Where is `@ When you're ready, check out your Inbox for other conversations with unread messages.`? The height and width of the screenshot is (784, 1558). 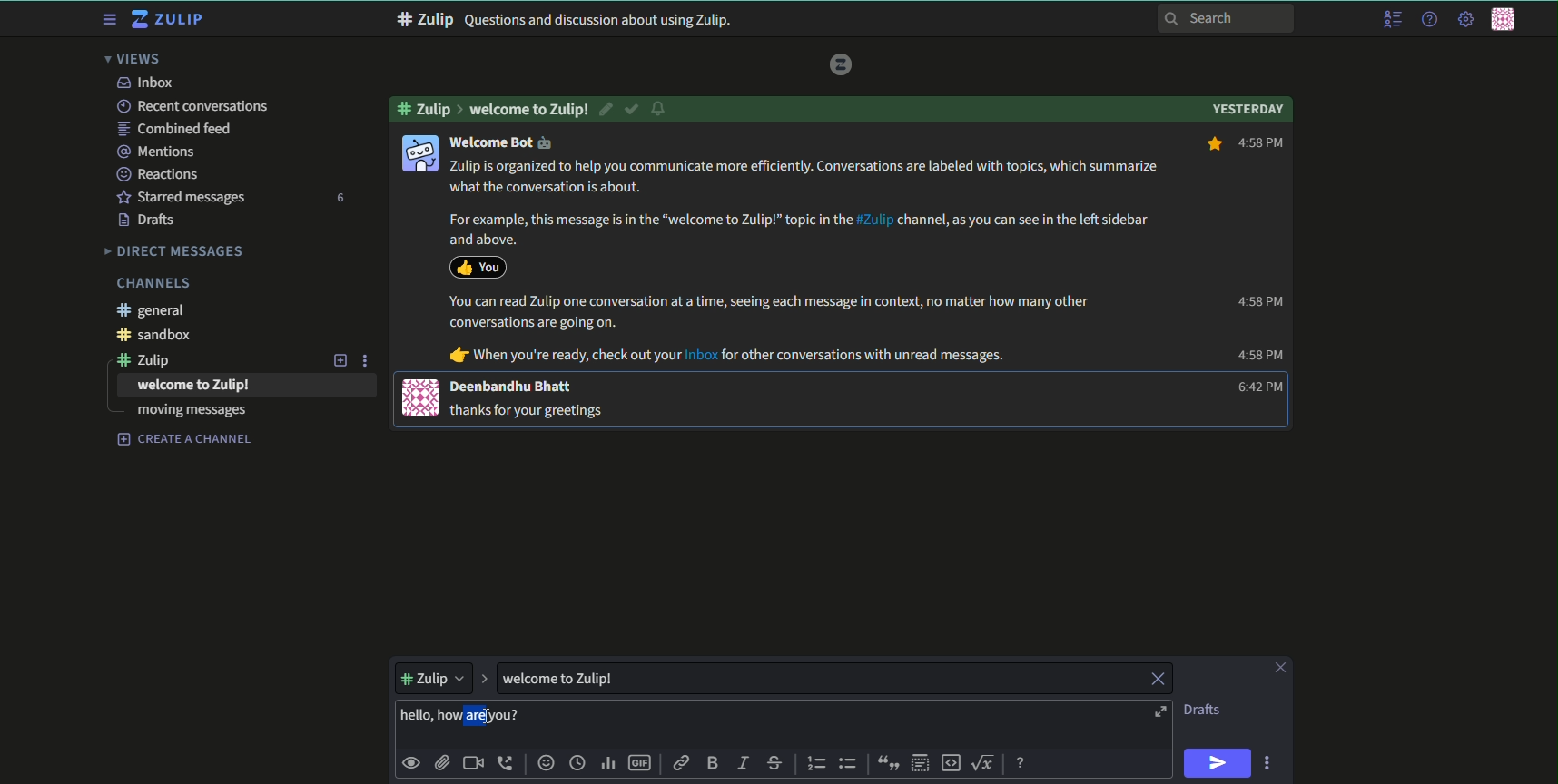 @ When you're ready, check out your Inbox for other conversations with unread messages. is located at coordinates (728, 356).